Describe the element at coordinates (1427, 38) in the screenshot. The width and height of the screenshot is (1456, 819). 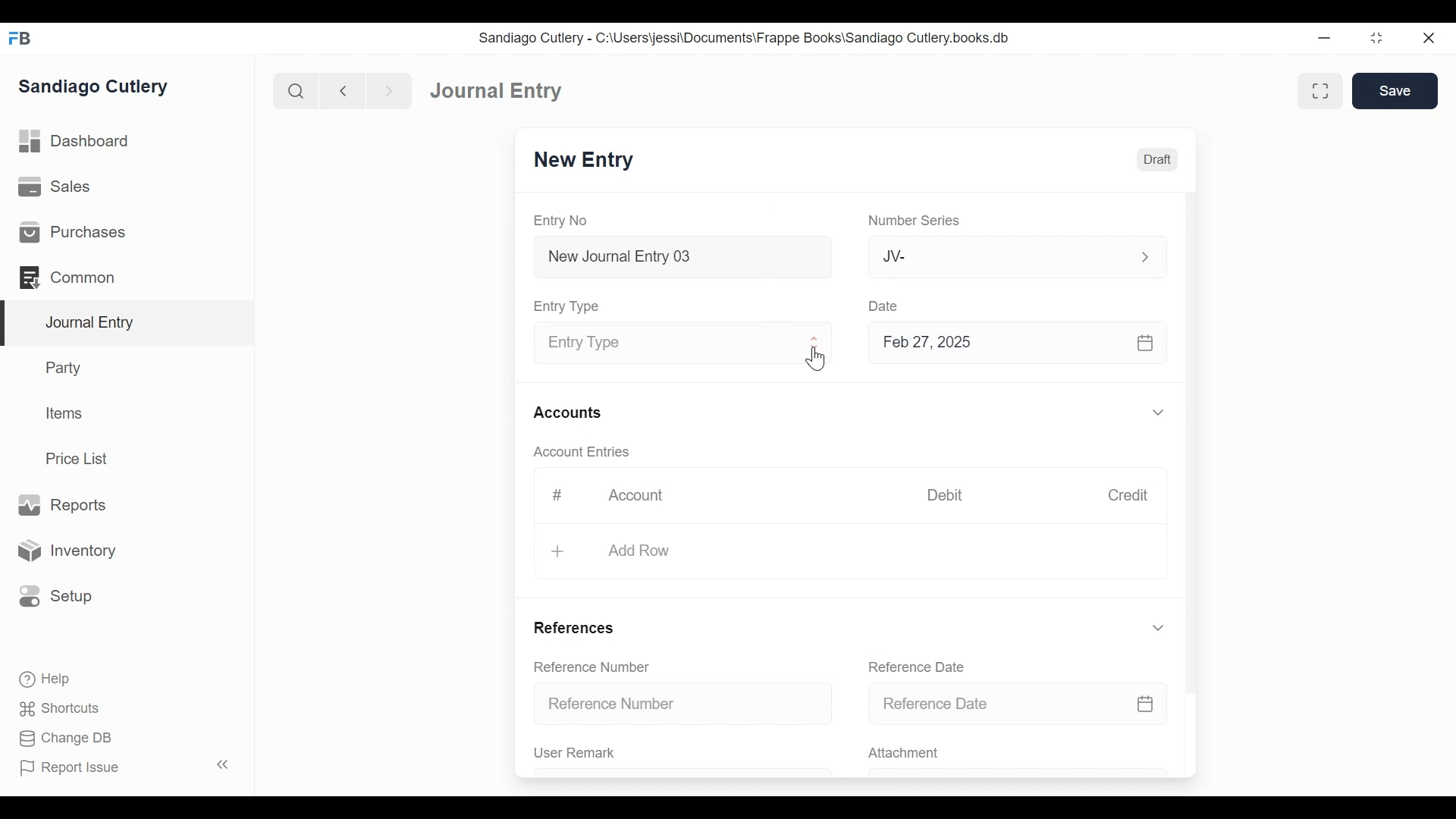
I see `Close` at that location.